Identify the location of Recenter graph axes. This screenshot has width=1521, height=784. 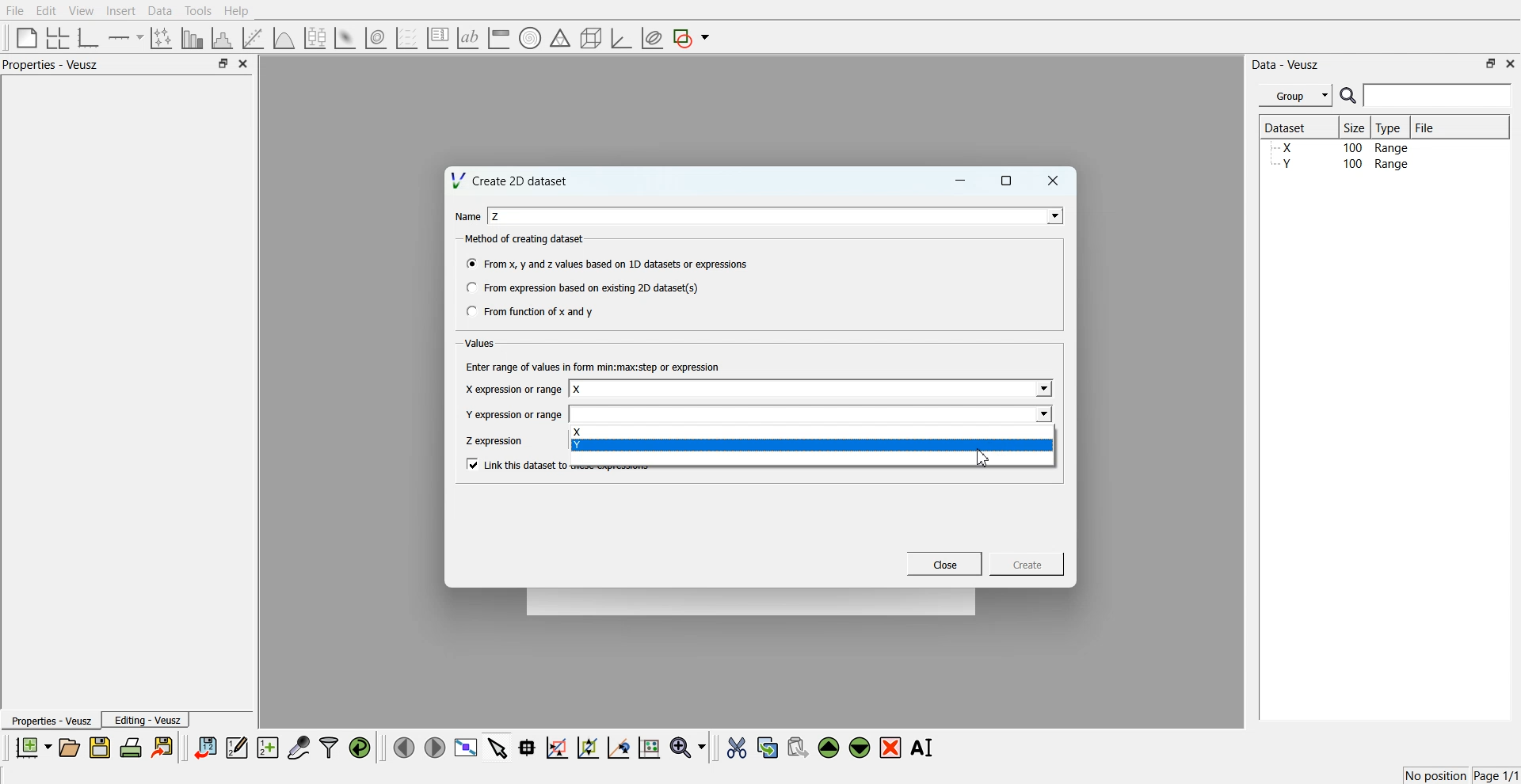
(619, 747).